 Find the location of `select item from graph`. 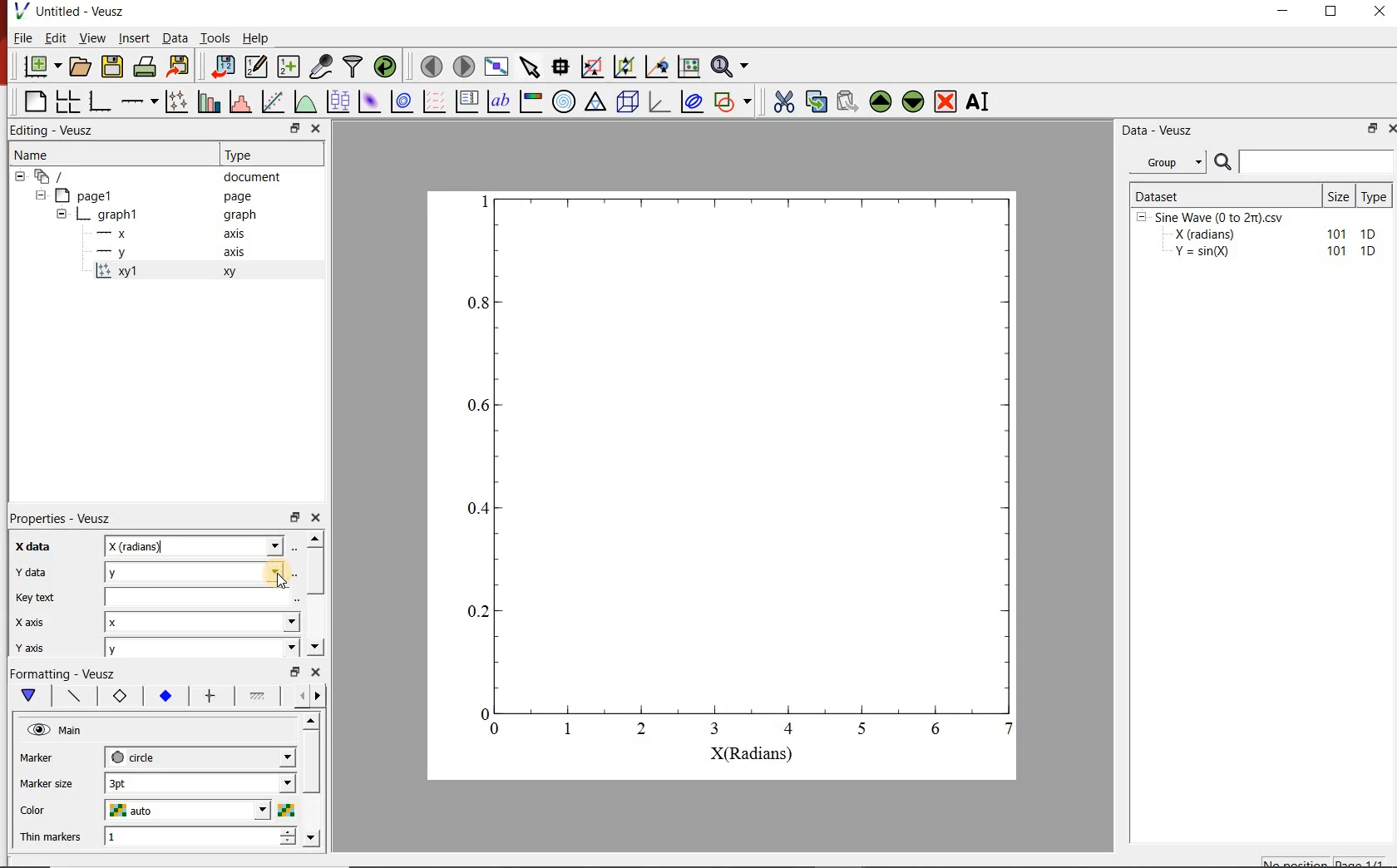

select item from graph is located at coordinates (531, 65).